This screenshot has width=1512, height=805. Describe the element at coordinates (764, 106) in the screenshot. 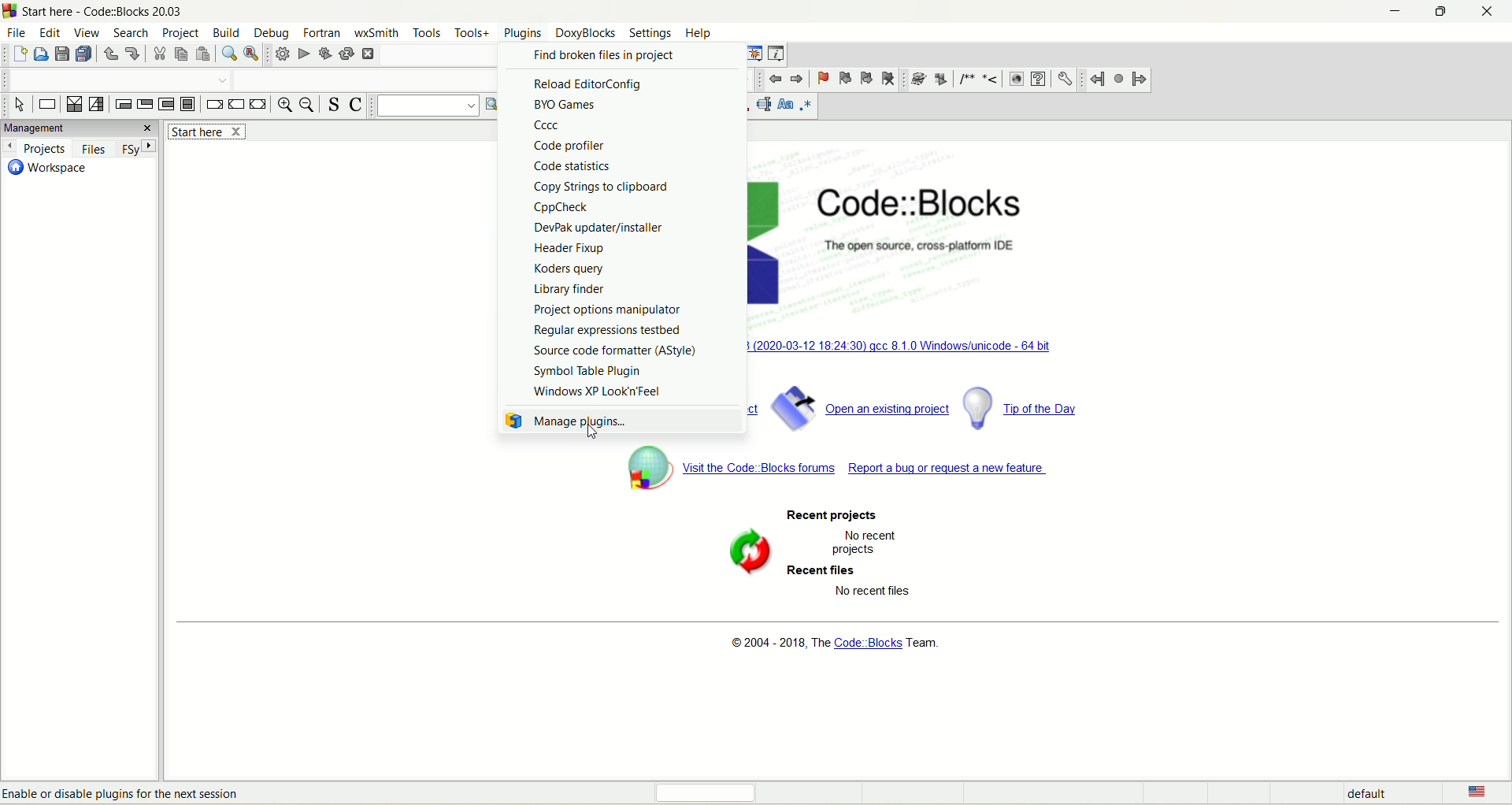

I see `selected text` at that location.